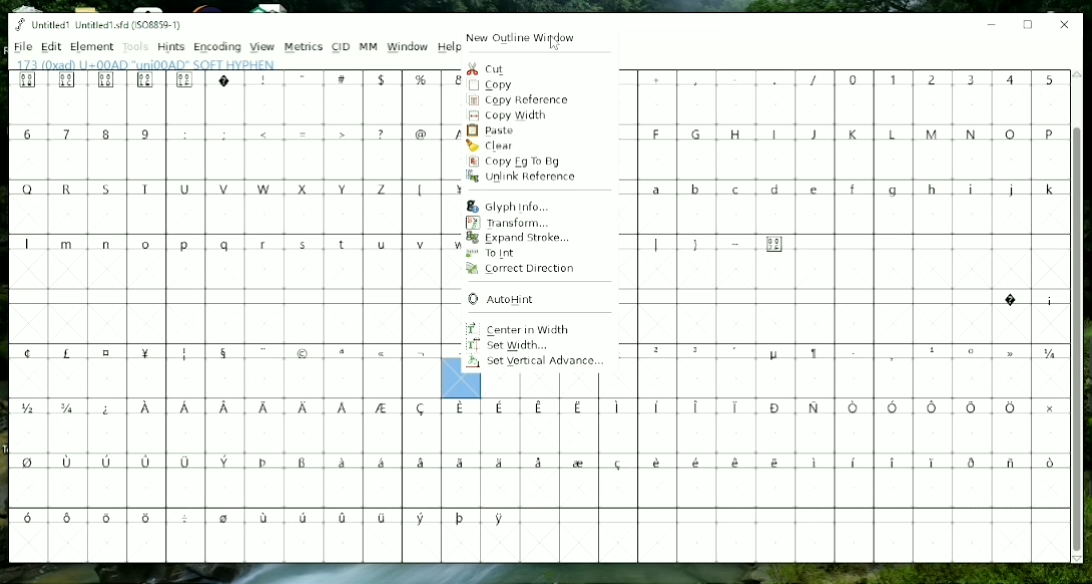  Describe the element at coordinates (535, 466) in the screenshot. I see `Symbols` at that location.